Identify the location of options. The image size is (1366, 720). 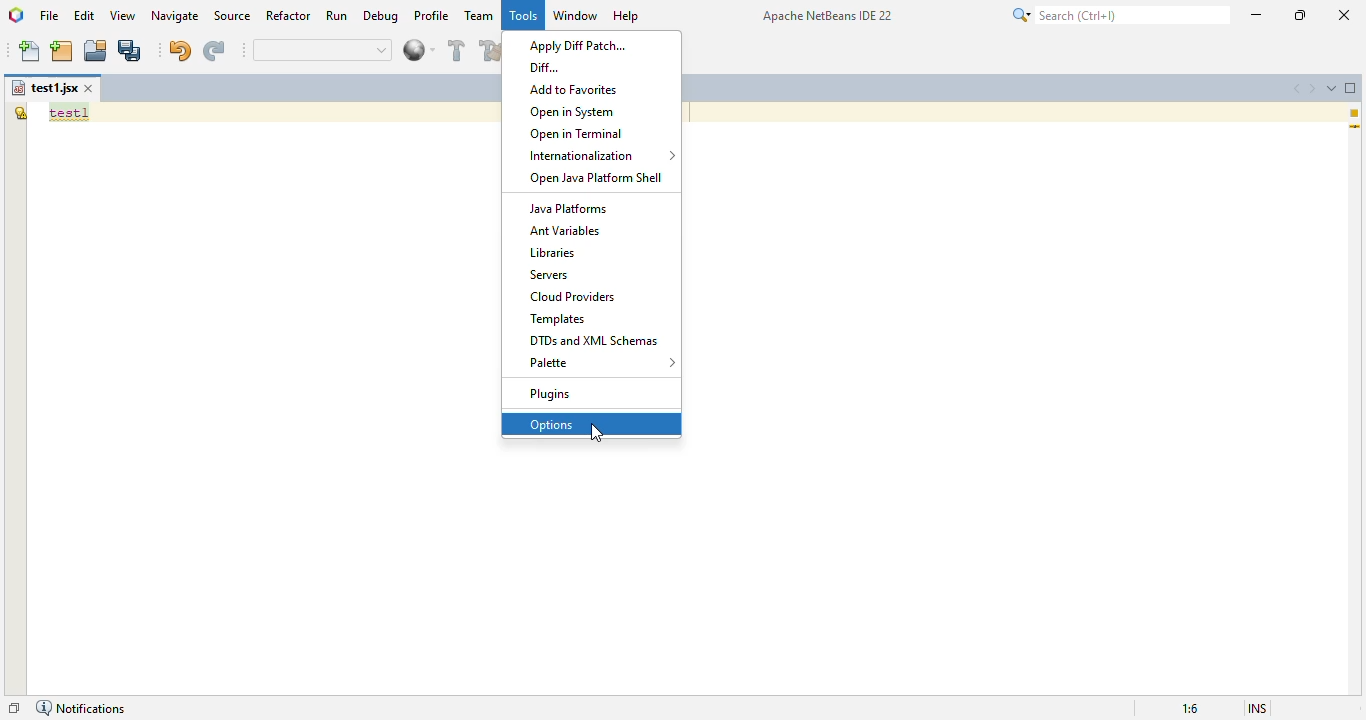
(552, 425).